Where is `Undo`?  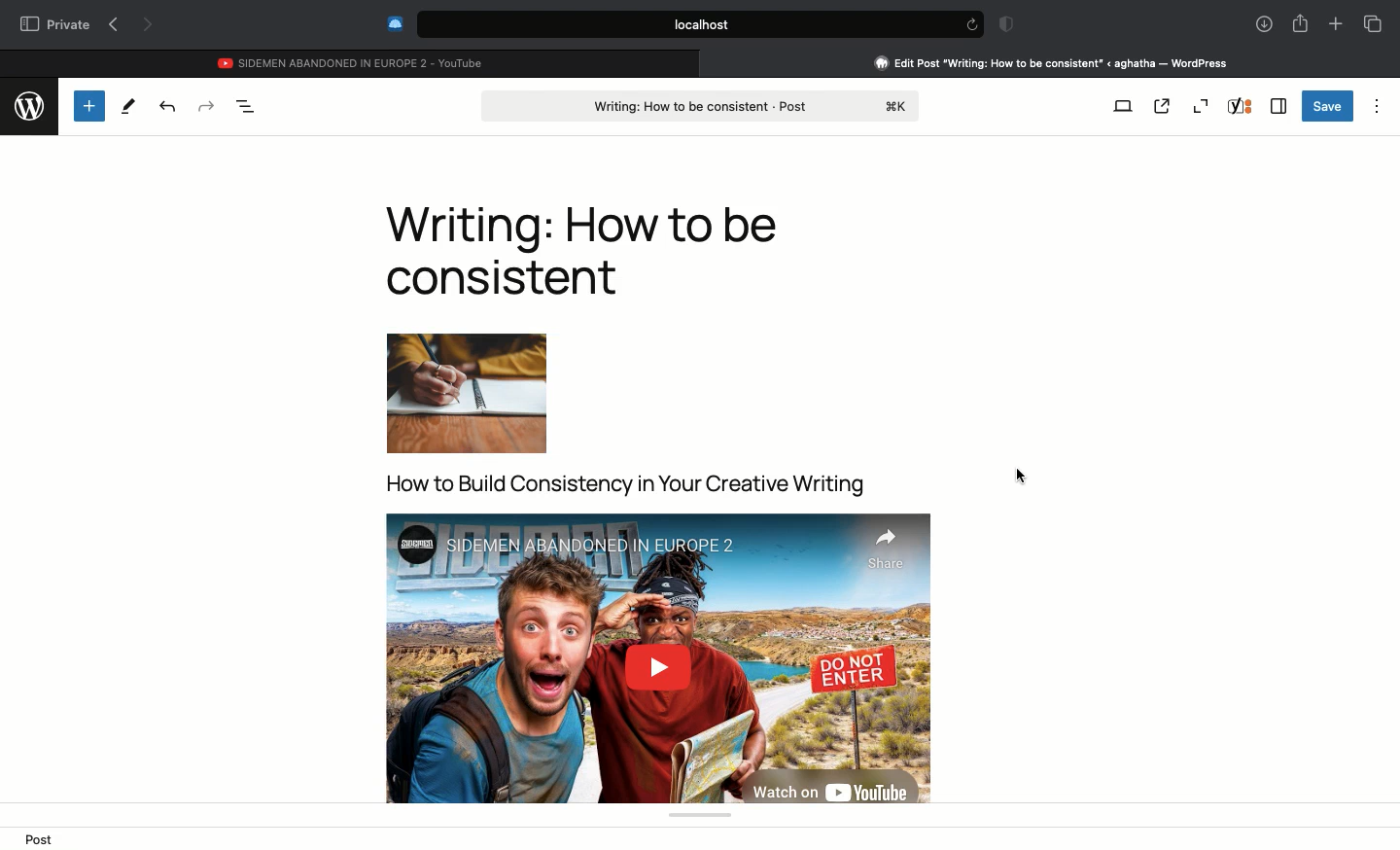 Undo is located at coordinates (167, 106).